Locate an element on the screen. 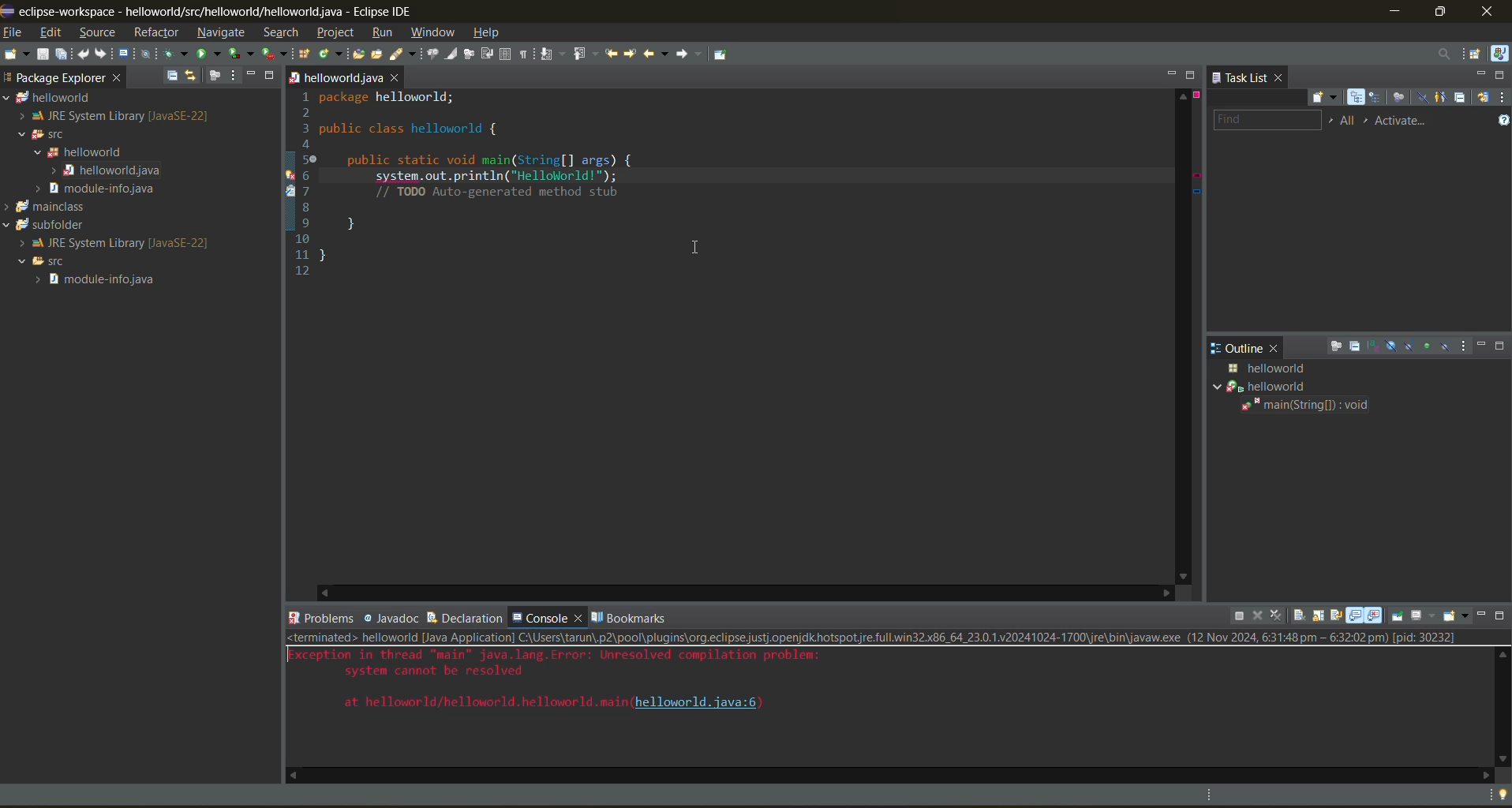 Image resolution: width=1512 pixels, height=808 pixels. access commands and other items is located at coordinates (1449, 54).